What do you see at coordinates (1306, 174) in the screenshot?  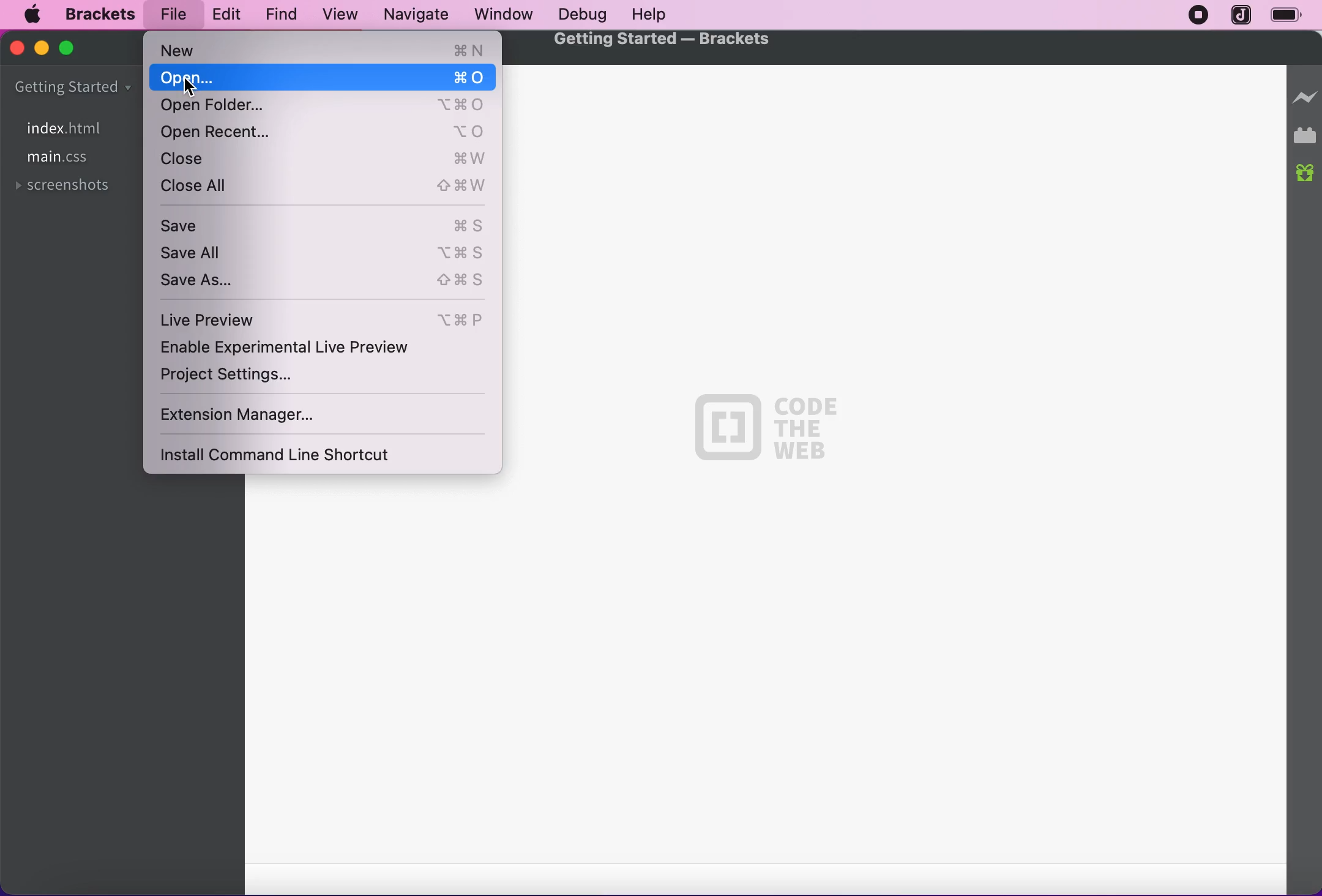 I see `new builds of brackets` at bounding box center [1306, 174].